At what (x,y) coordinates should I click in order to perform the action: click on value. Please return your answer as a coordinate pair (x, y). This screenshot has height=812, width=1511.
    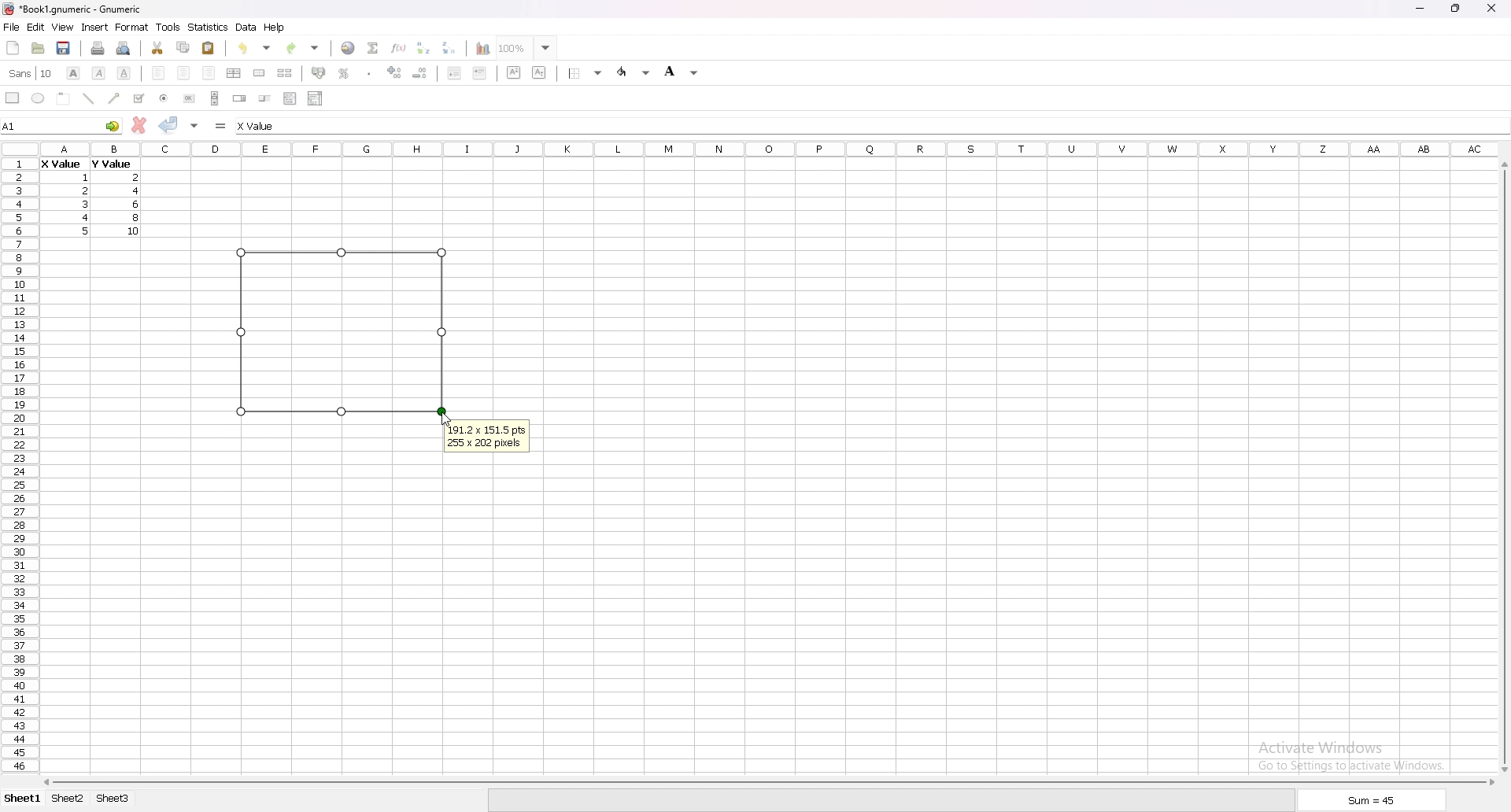
    Looking at the image, I should click on (137, 218).